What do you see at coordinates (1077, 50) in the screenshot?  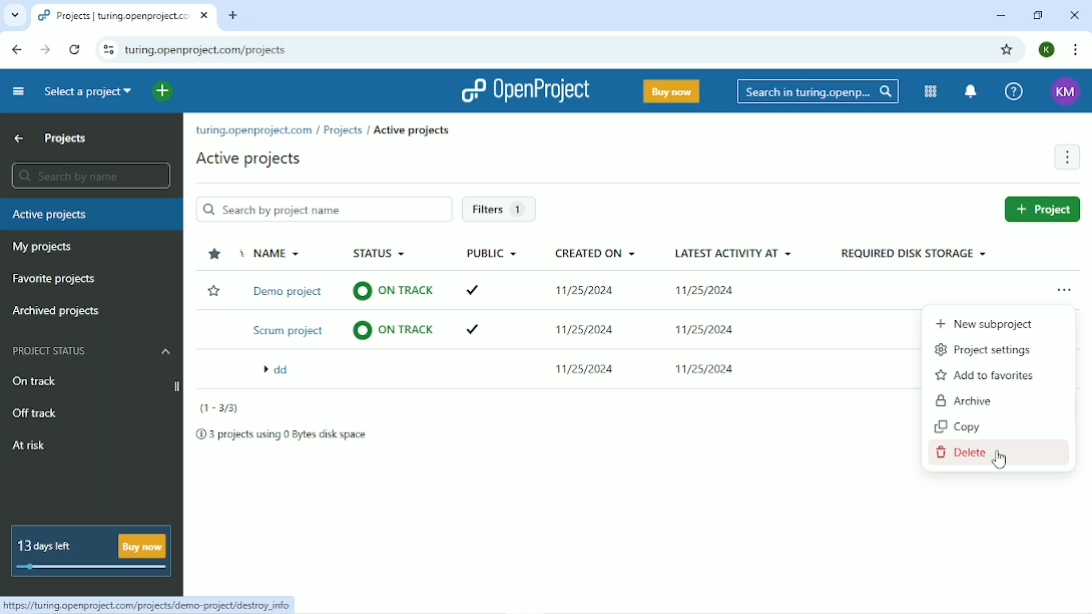 I see `Customize and control google chrome` at bounding box center [1077, 50].